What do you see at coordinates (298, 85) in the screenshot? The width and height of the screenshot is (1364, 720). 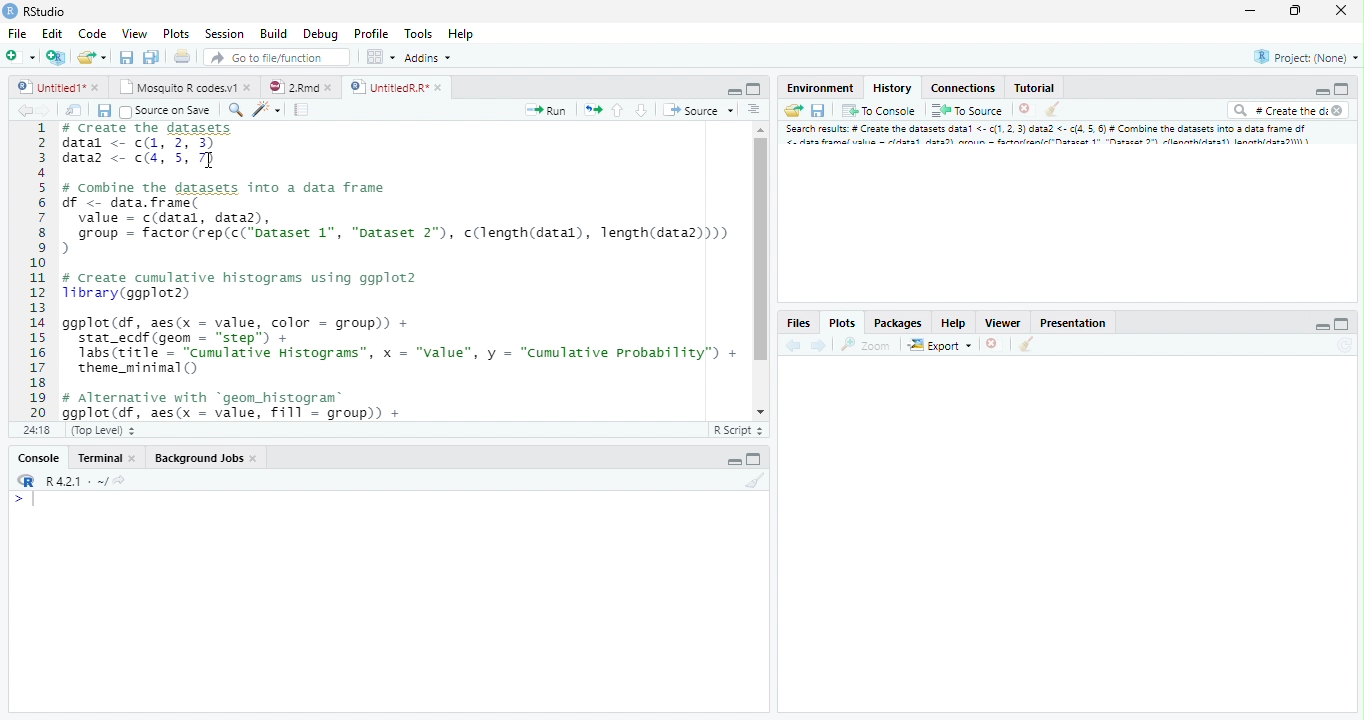 I see `2.Rmd` at bounding box center [298, 85].